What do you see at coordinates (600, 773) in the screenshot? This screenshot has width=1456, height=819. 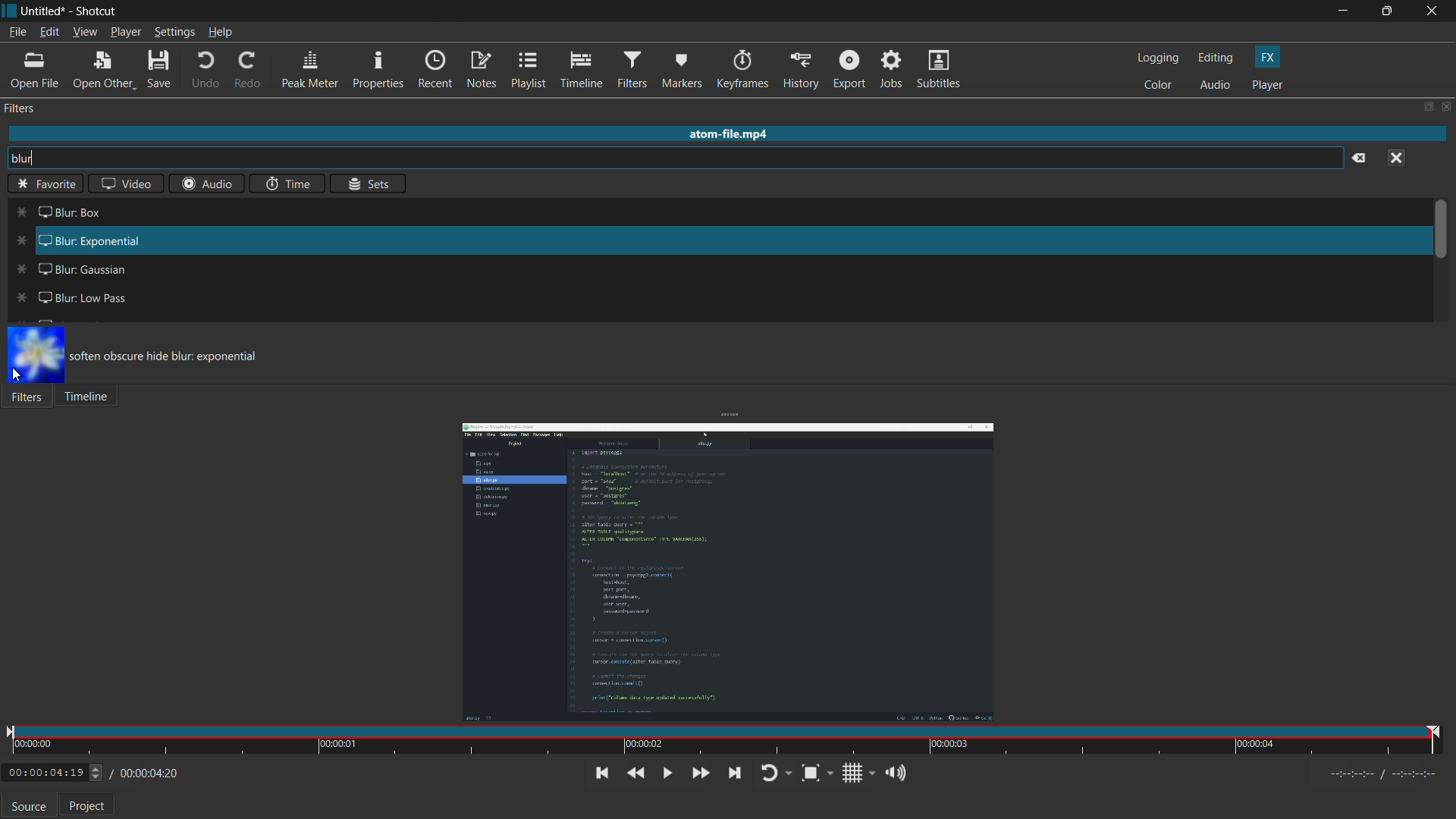 I see `skip to the previous point` at bounding box center [600, 773].